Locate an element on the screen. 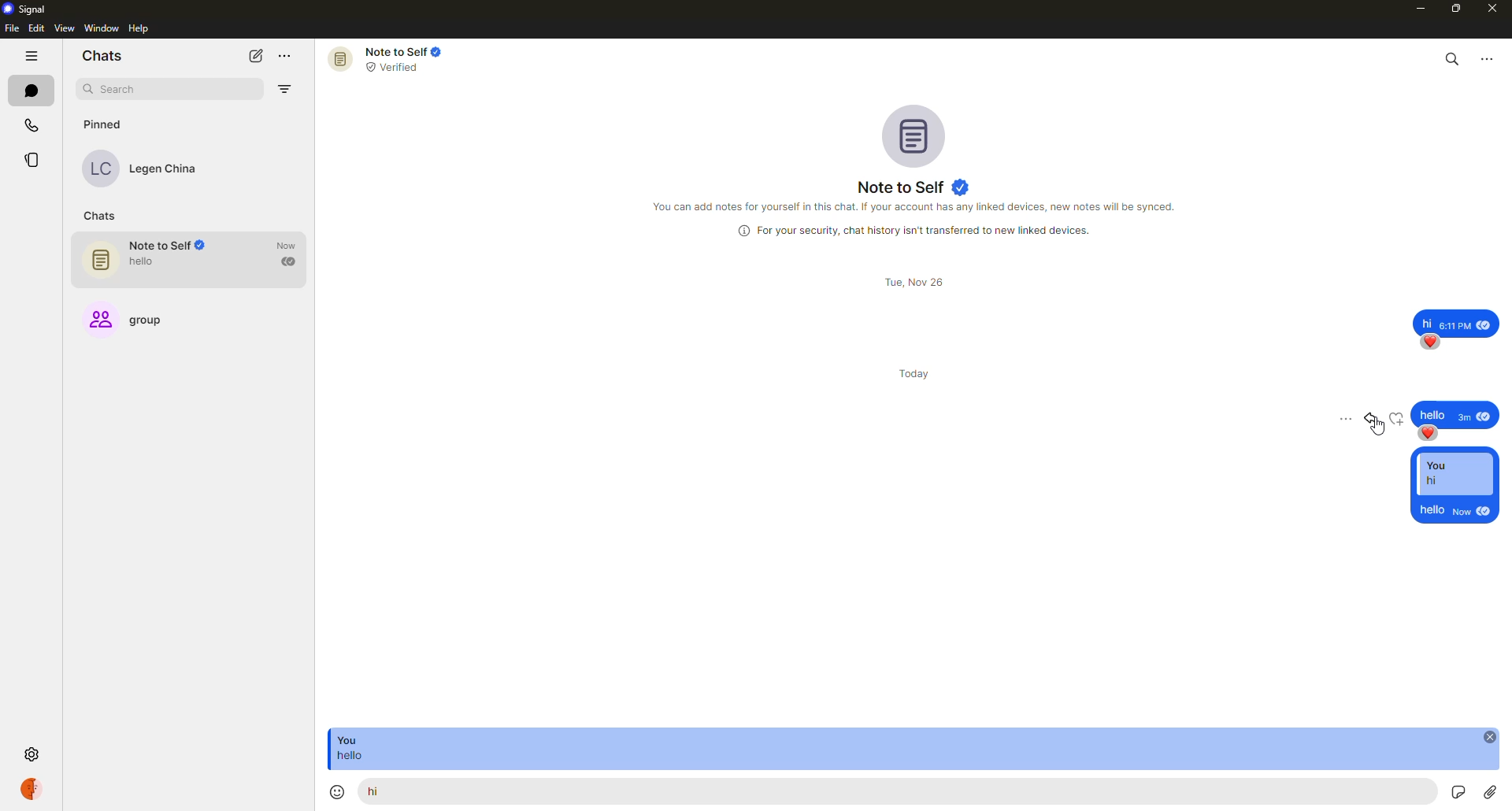 Image resolution: width=1512 pixels, height=811 pixels. group is located at coordinates (139, 320).